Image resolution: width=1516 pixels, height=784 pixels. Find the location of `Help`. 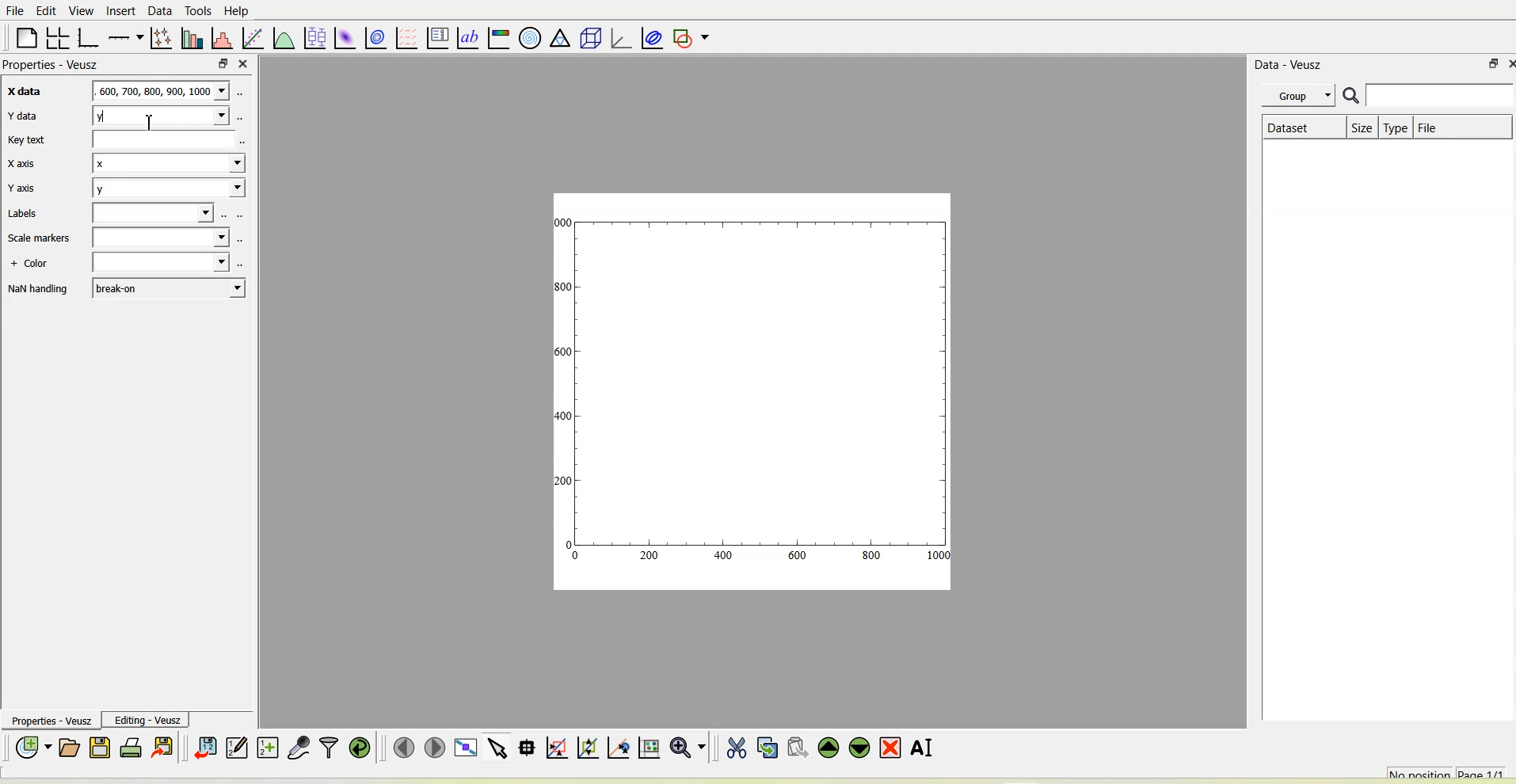

Help is located at coordinates (238, 11).